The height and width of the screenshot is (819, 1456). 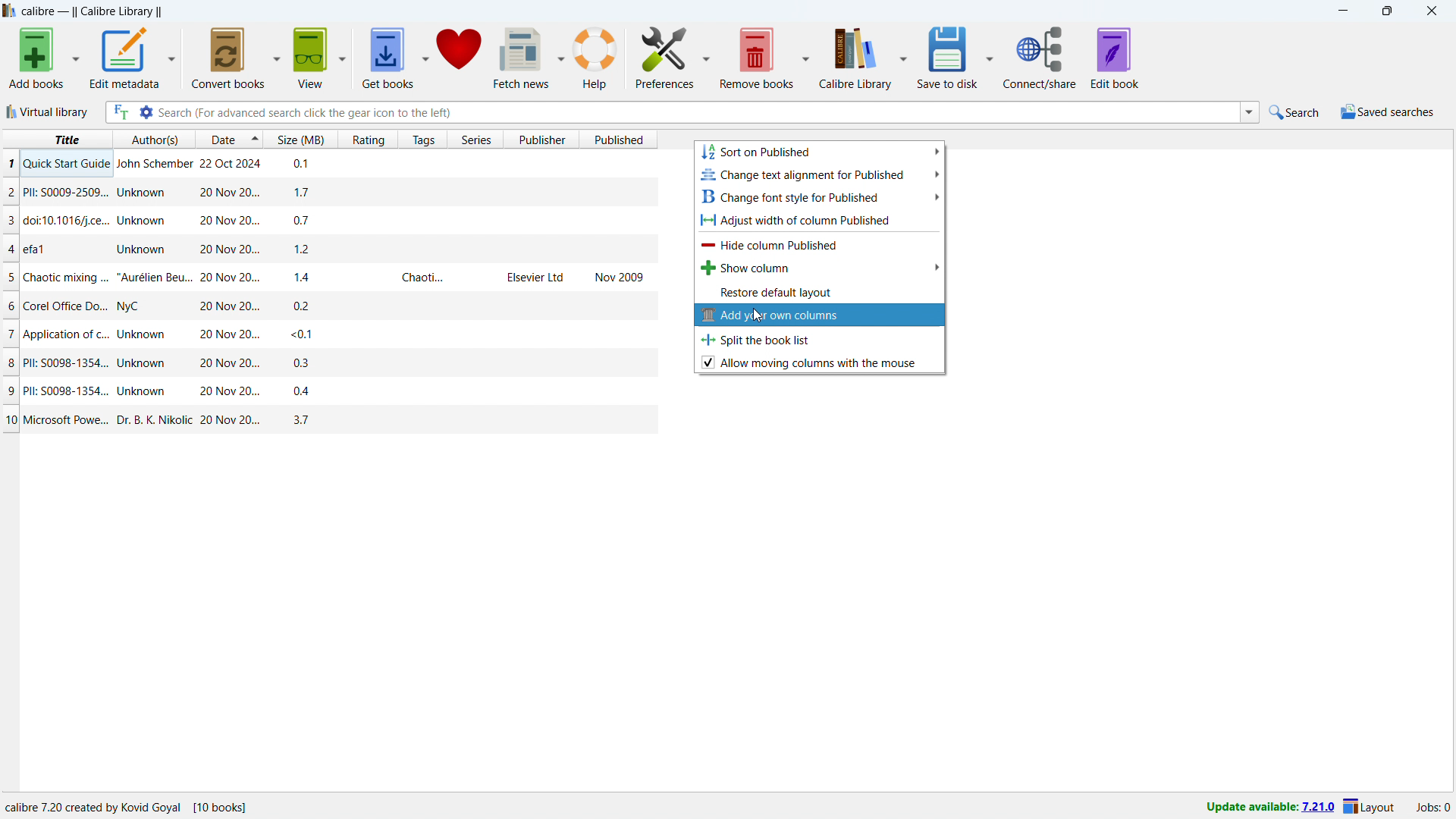 What do you see at coordinates (1040, 58) in the screenshot?
I see `connect/share` at bounding box center [1040, 58].